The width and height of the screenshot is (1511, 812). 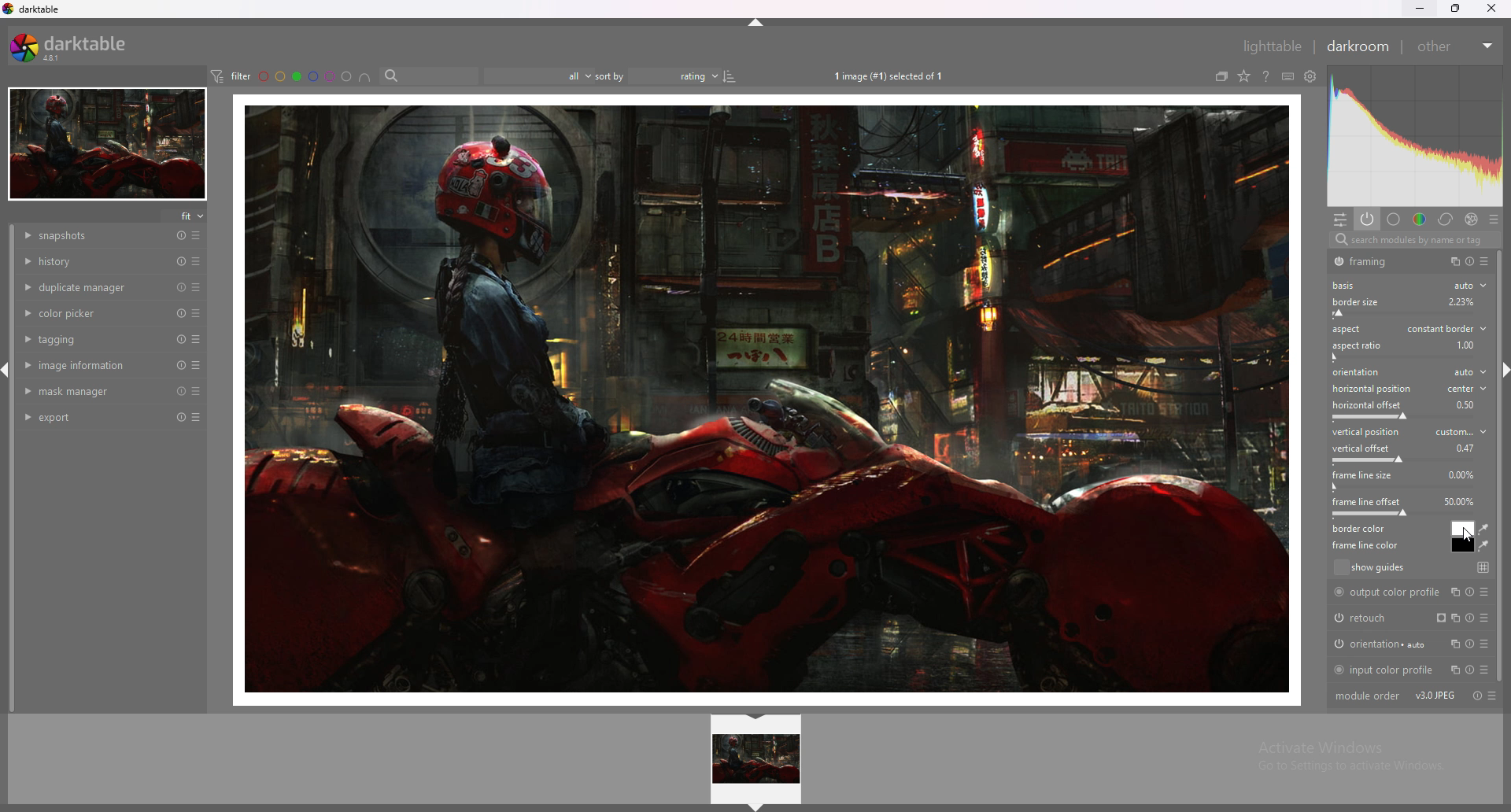 I want to click on version info, so click(x=1435, y=696).